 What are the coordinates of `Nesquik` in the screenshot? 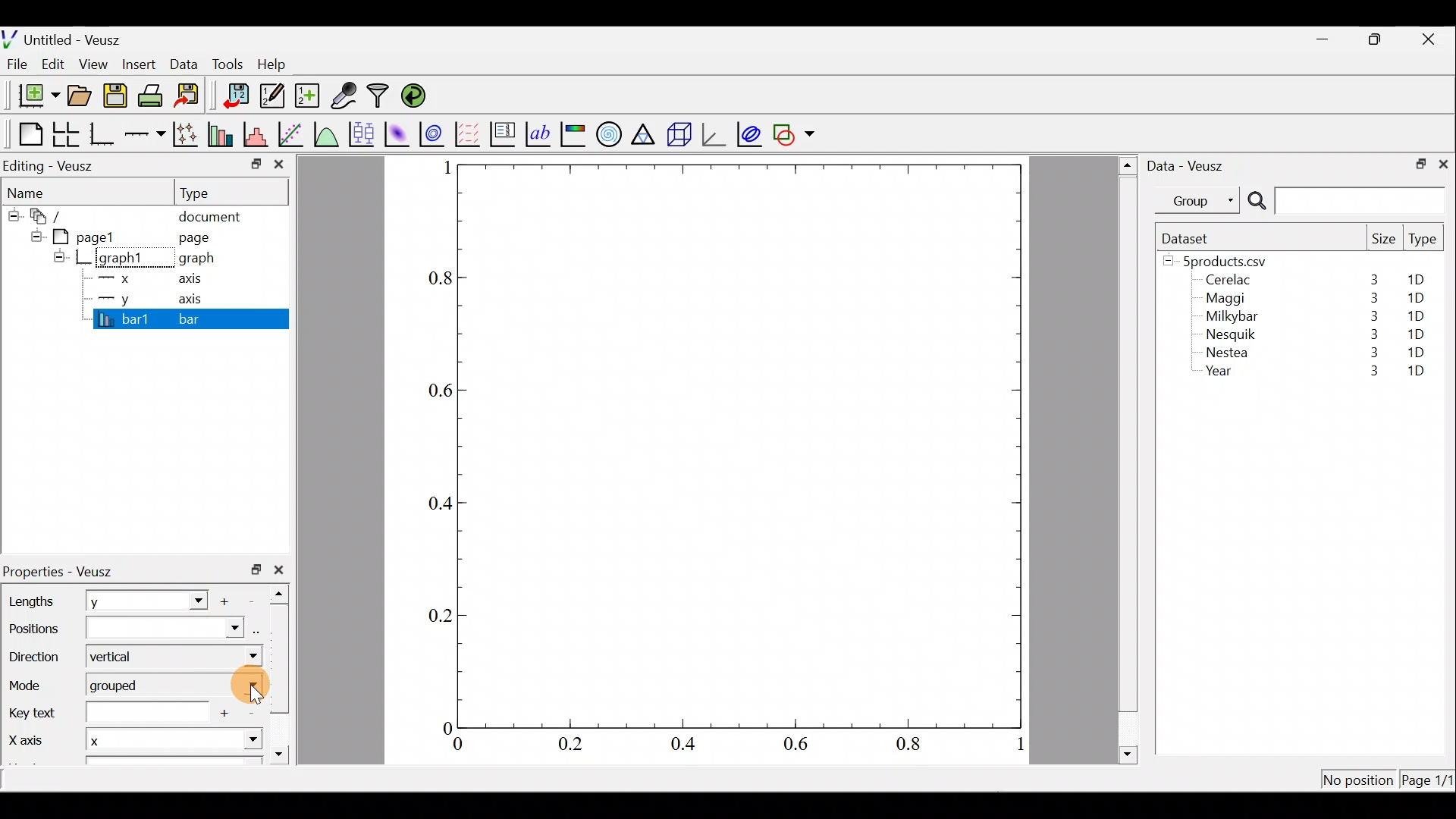 It's located at (1228, 334).